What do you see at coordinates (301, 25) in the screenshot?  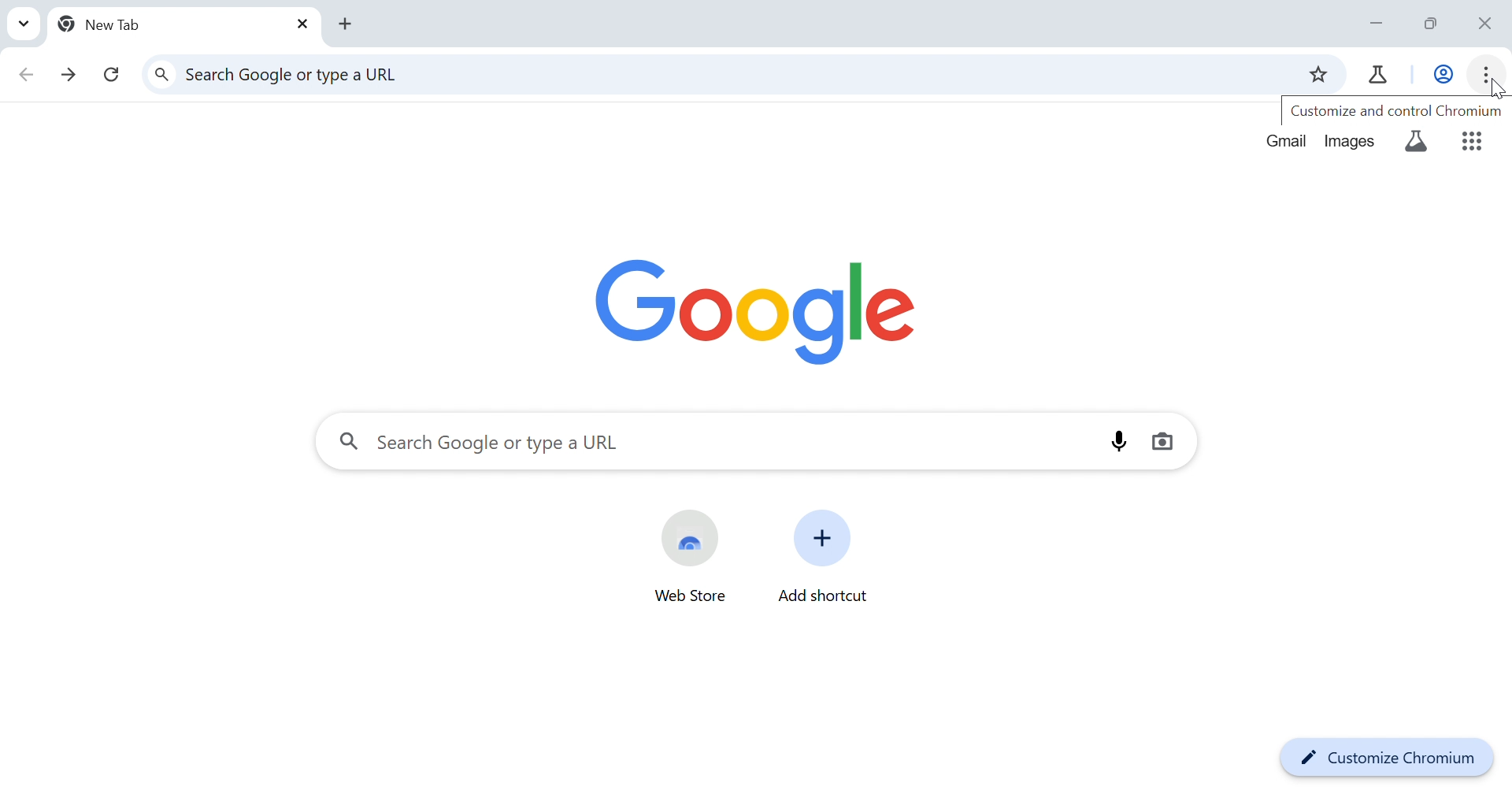 I see `Close` at bounding box center [301, 25].